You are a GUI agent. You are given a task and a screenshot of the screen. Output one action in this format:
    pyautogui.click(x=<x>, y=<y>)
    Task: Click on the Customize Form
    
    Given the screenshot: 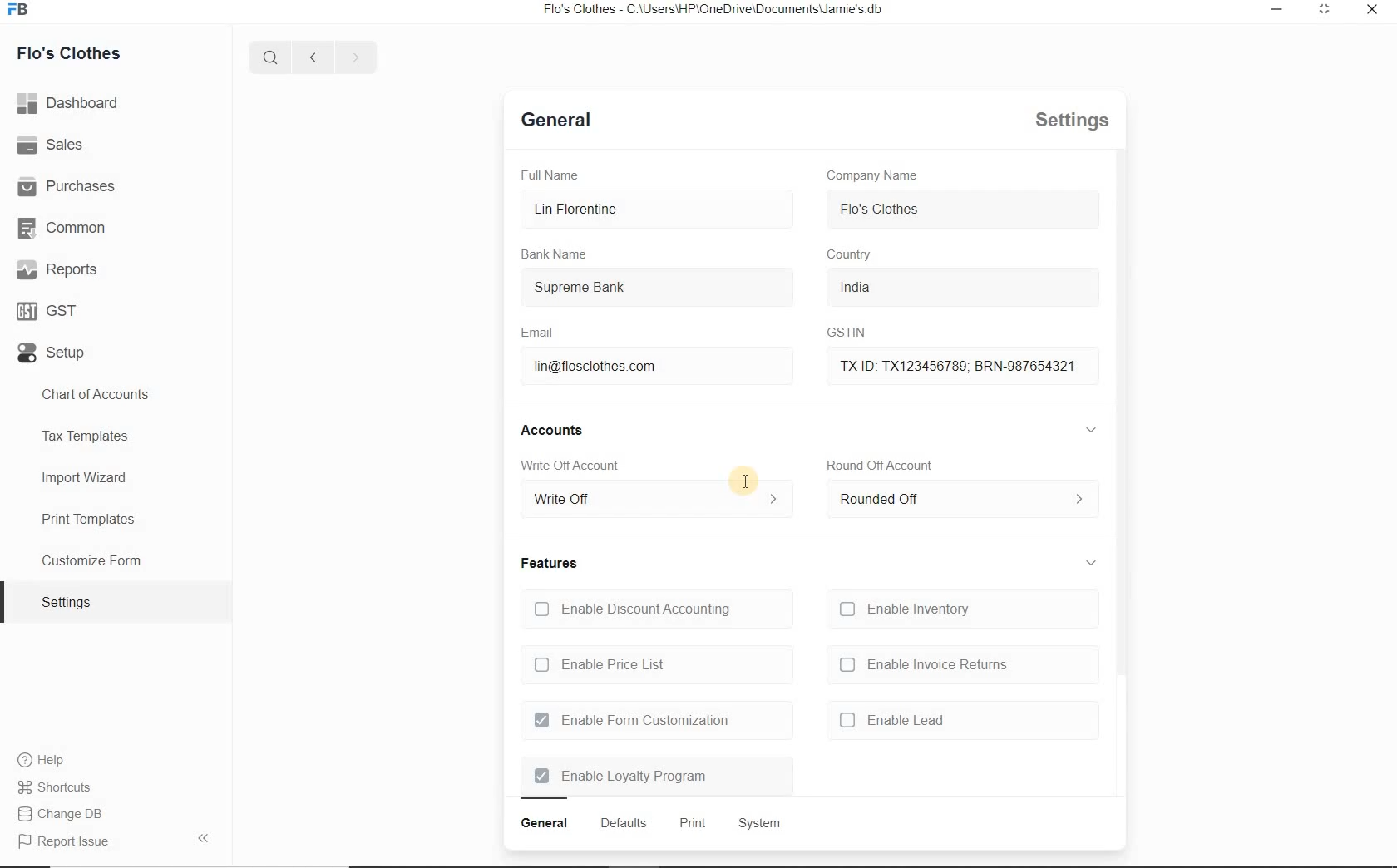 What is the action you would take?
    pyautogui.click(x=91, y=561)
    